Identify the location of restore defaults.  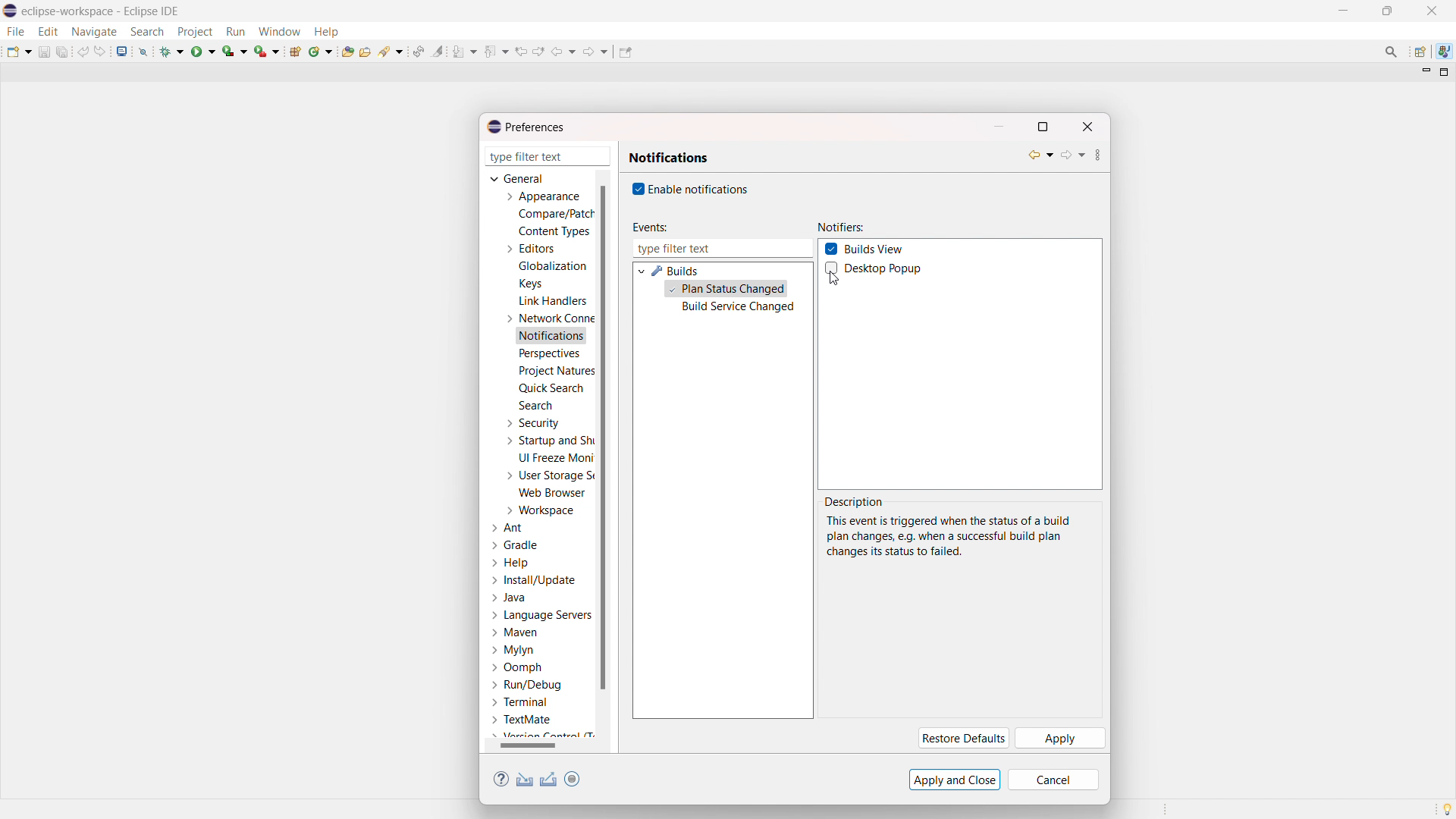
(962, 739).